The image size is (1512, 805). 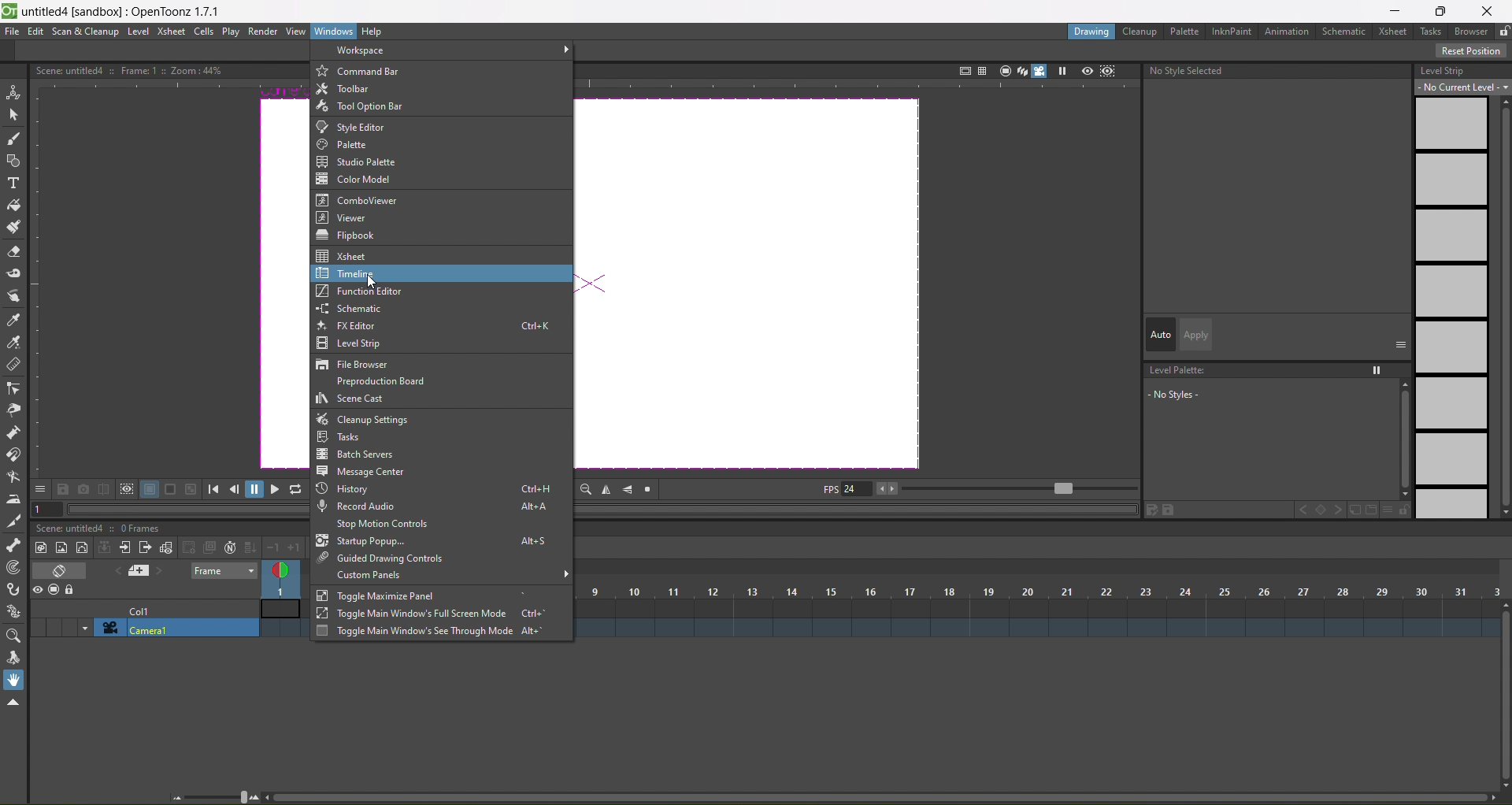 I want to click on new vector level, so click(x=82, y=548).